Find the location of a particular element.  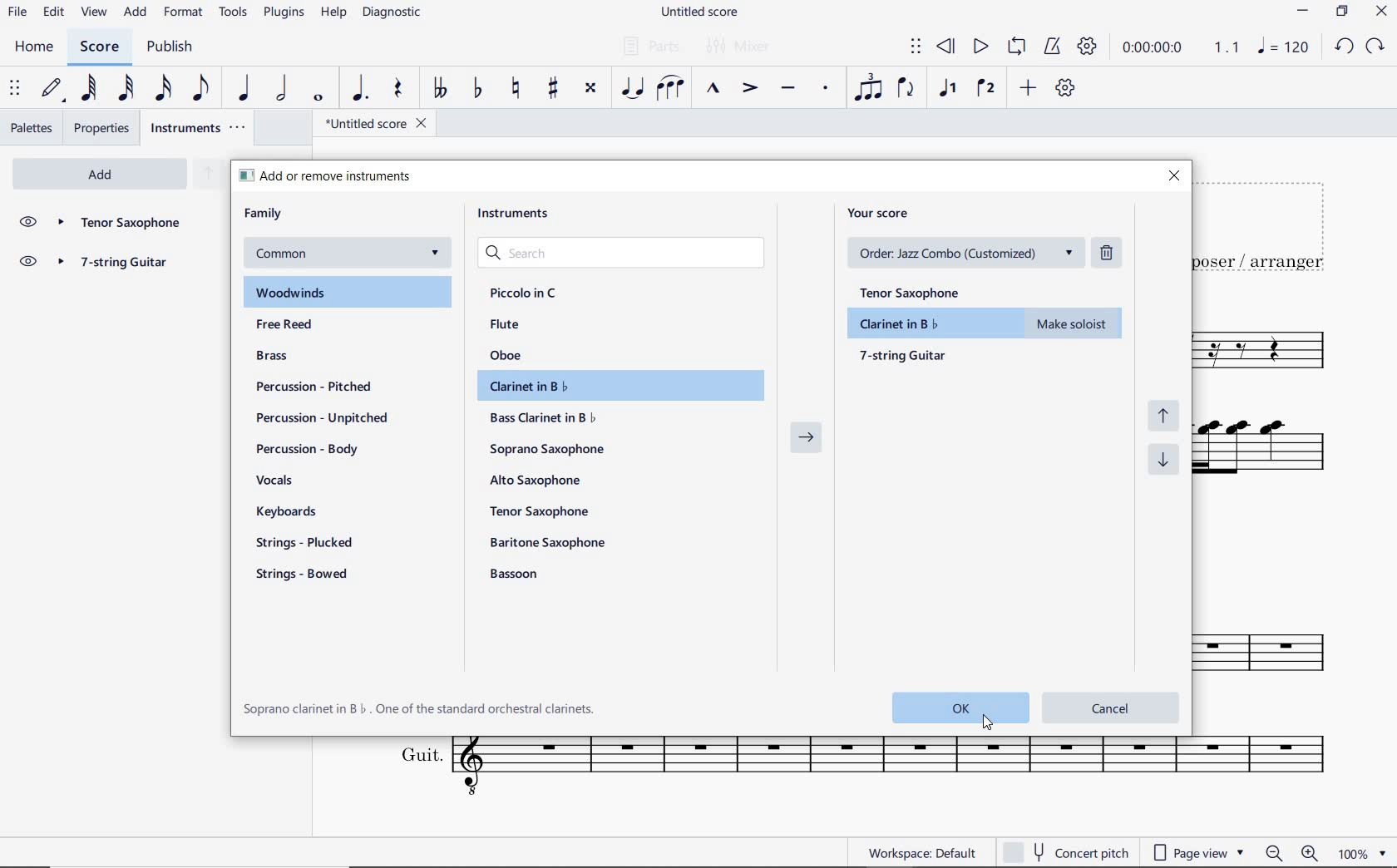

zoom factor is located at coordinates (1365, 854).